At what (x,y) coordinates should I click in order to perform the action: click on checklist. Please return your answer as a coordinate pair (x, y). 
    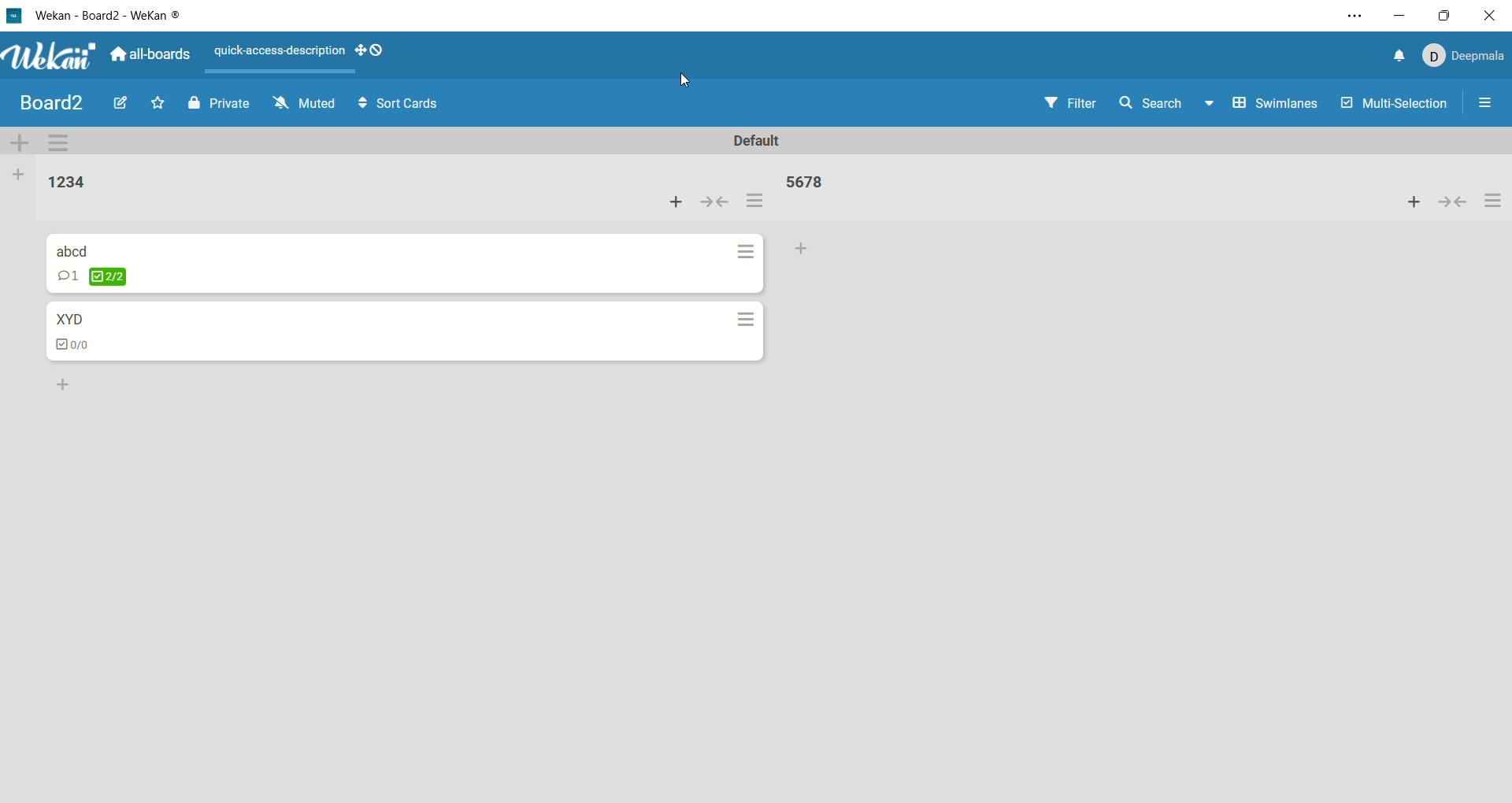
    Looking at the image, I should click on (72, 341).